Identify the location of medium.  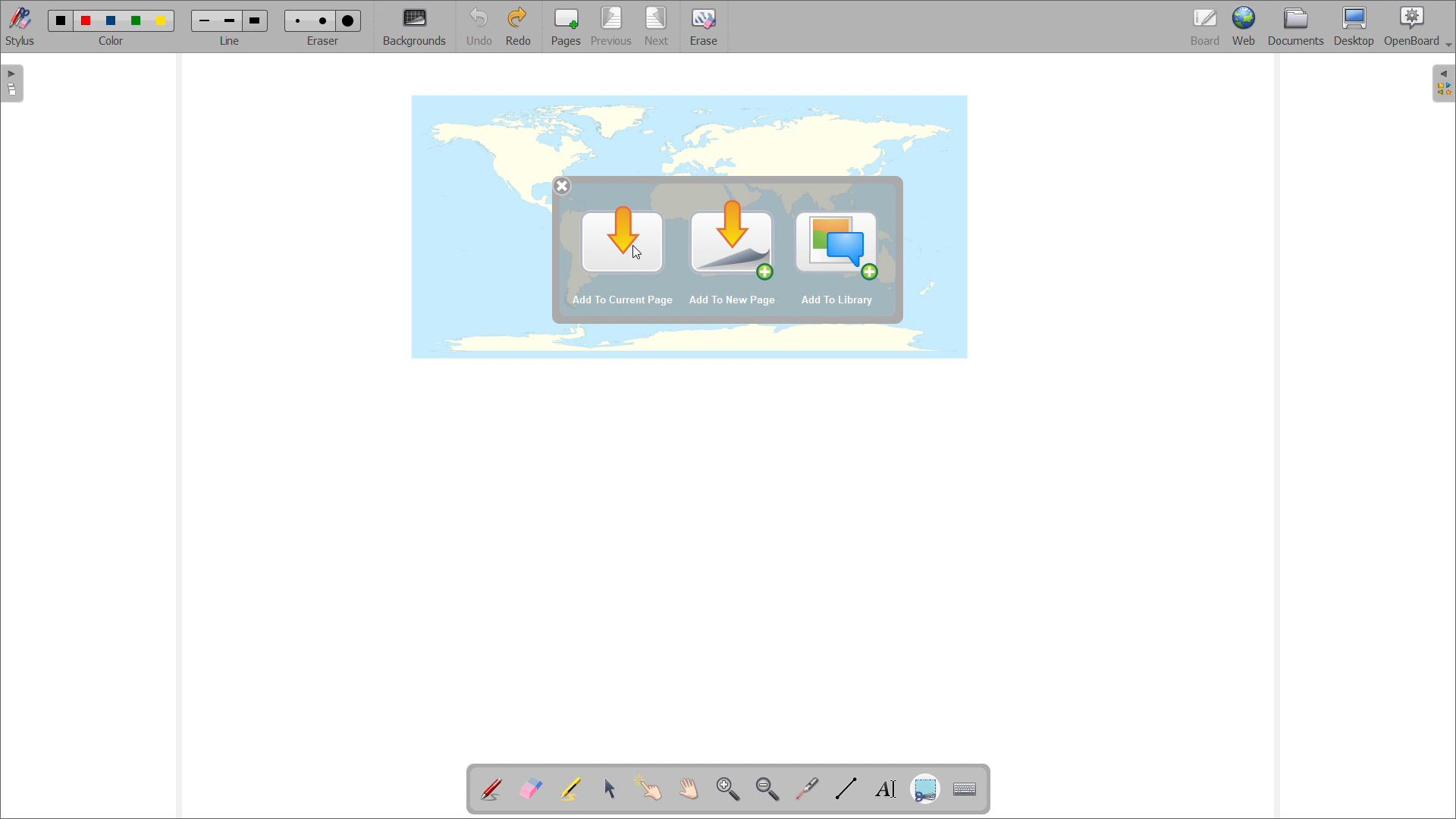
(229, 21).